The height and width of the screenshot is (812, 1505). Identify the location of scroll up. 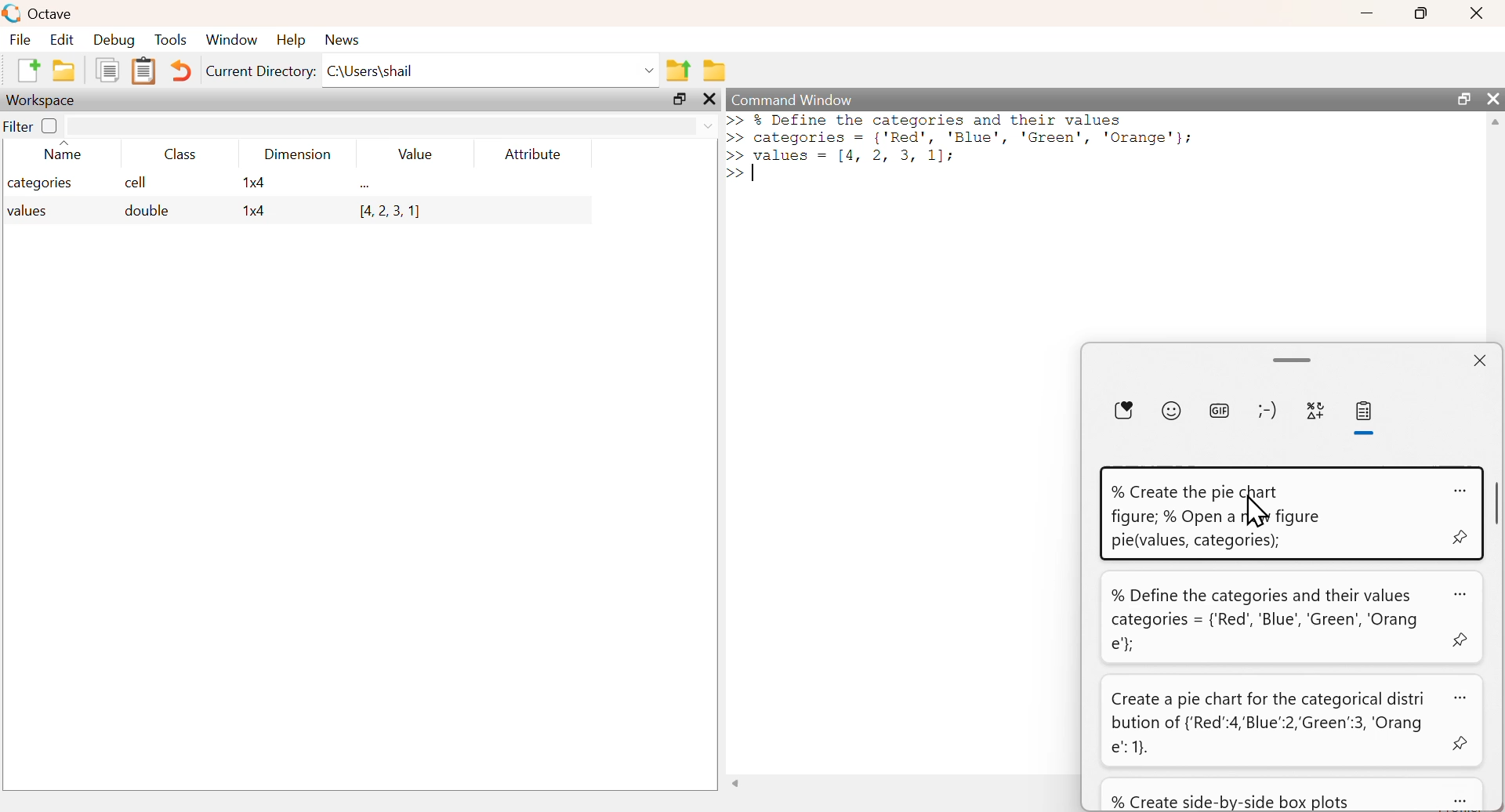
(1495, 123).